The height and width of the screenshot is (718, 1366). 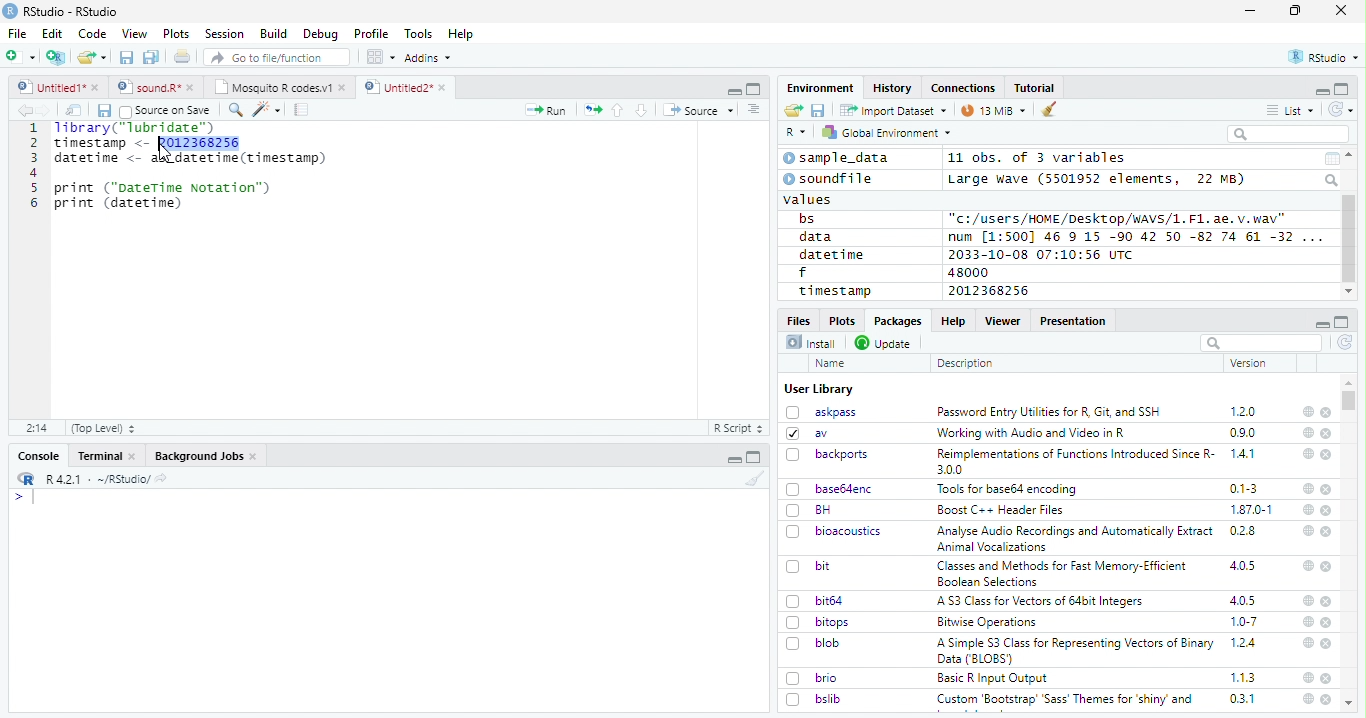 I want to click on Show in new window, so click(x=76, y=110).